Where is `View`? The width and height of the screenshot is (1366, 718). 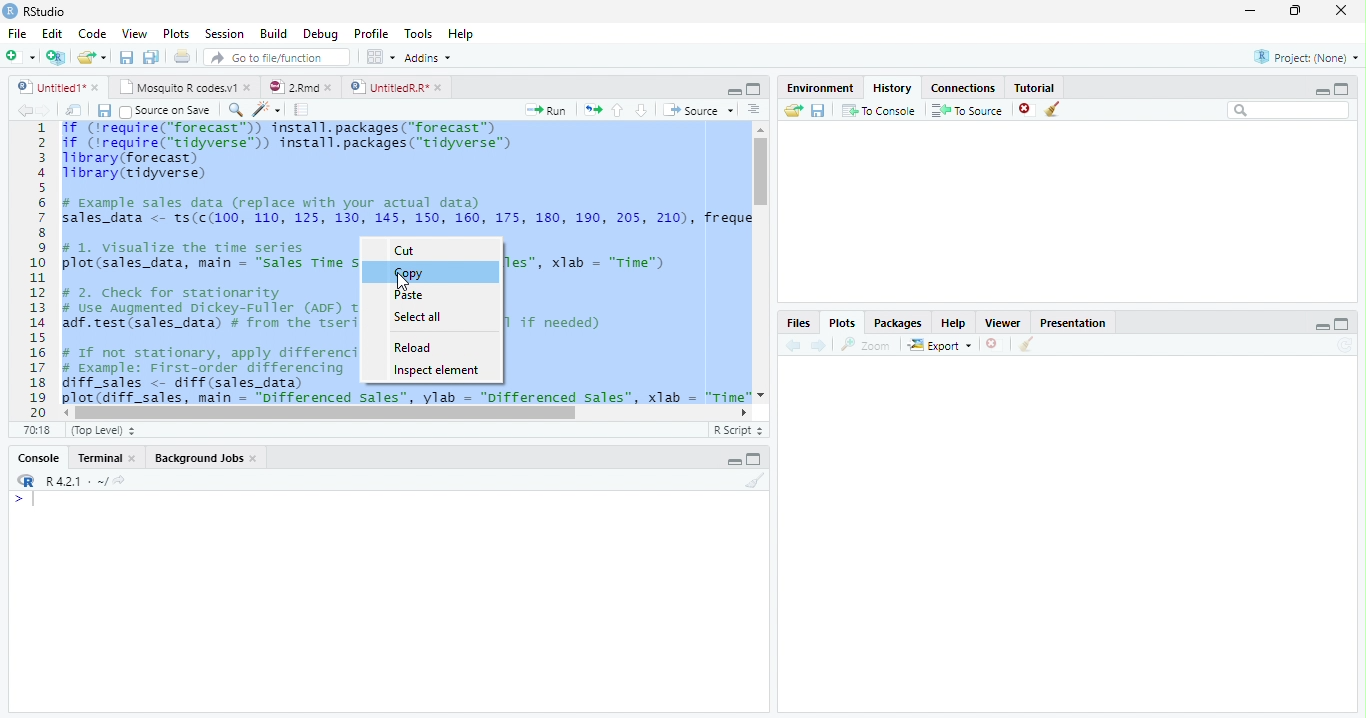 View is located at coordinates (133, 34).